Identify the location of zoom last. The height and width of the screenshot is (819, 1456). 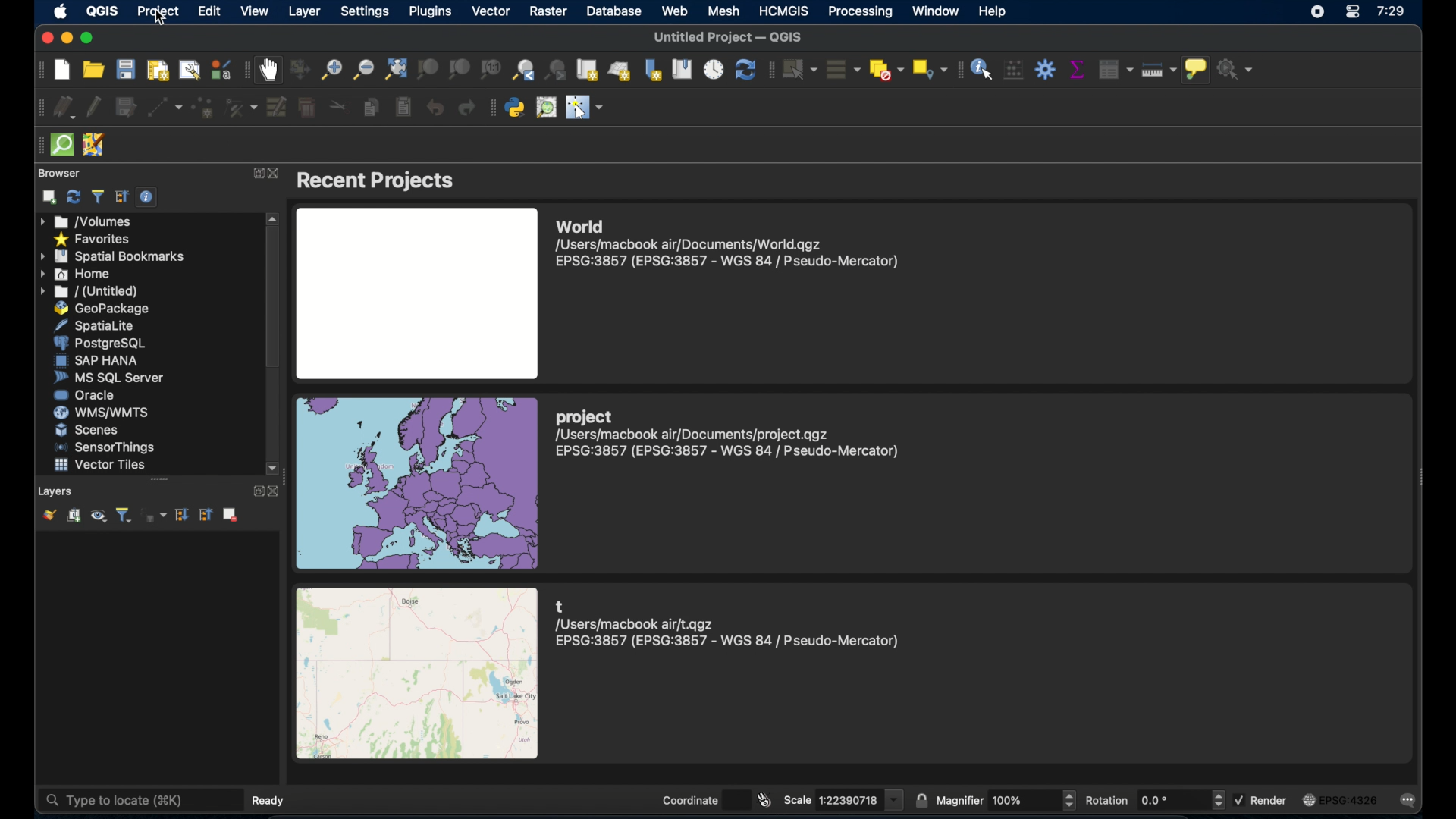
(525, 69).